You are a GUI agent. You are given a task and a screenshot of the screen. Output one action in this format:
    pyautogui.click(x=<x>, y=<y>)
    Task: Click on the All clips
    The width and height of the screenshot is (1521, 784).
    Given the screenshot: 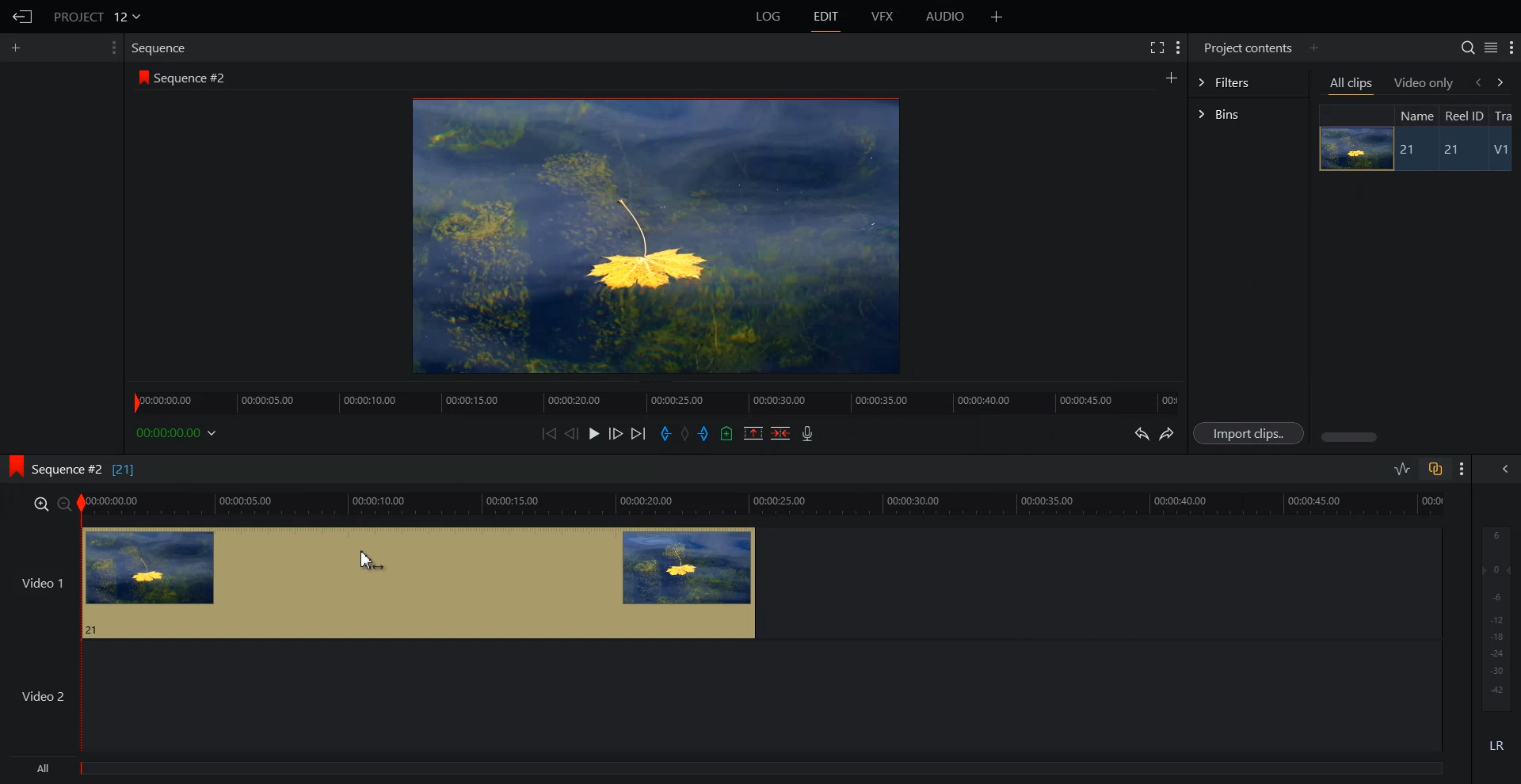 What is the action you would take?
    pyautogui.click(x=1352, y=85)
    